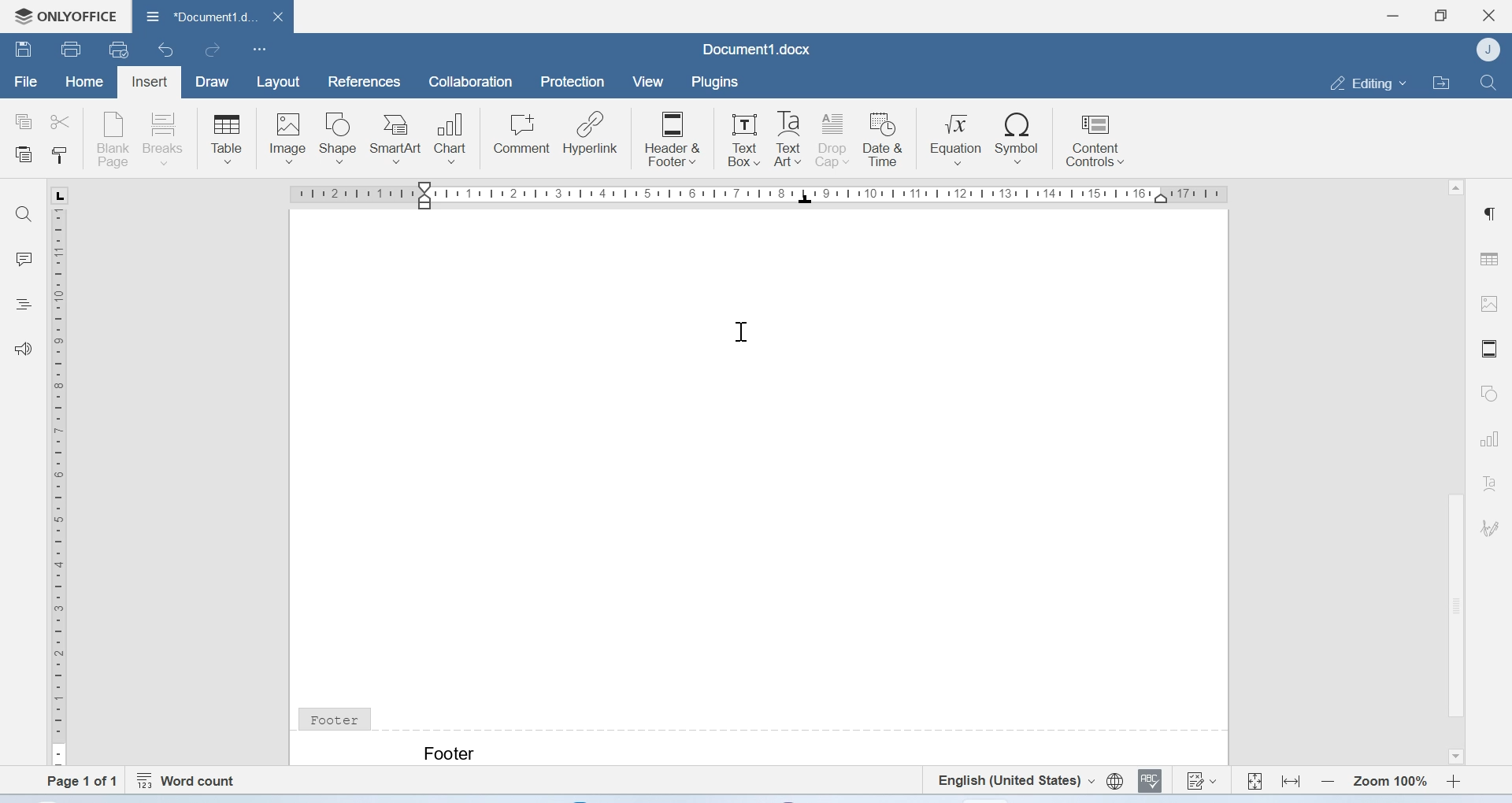  I want to click on Hyperlink, so click(591, 135).